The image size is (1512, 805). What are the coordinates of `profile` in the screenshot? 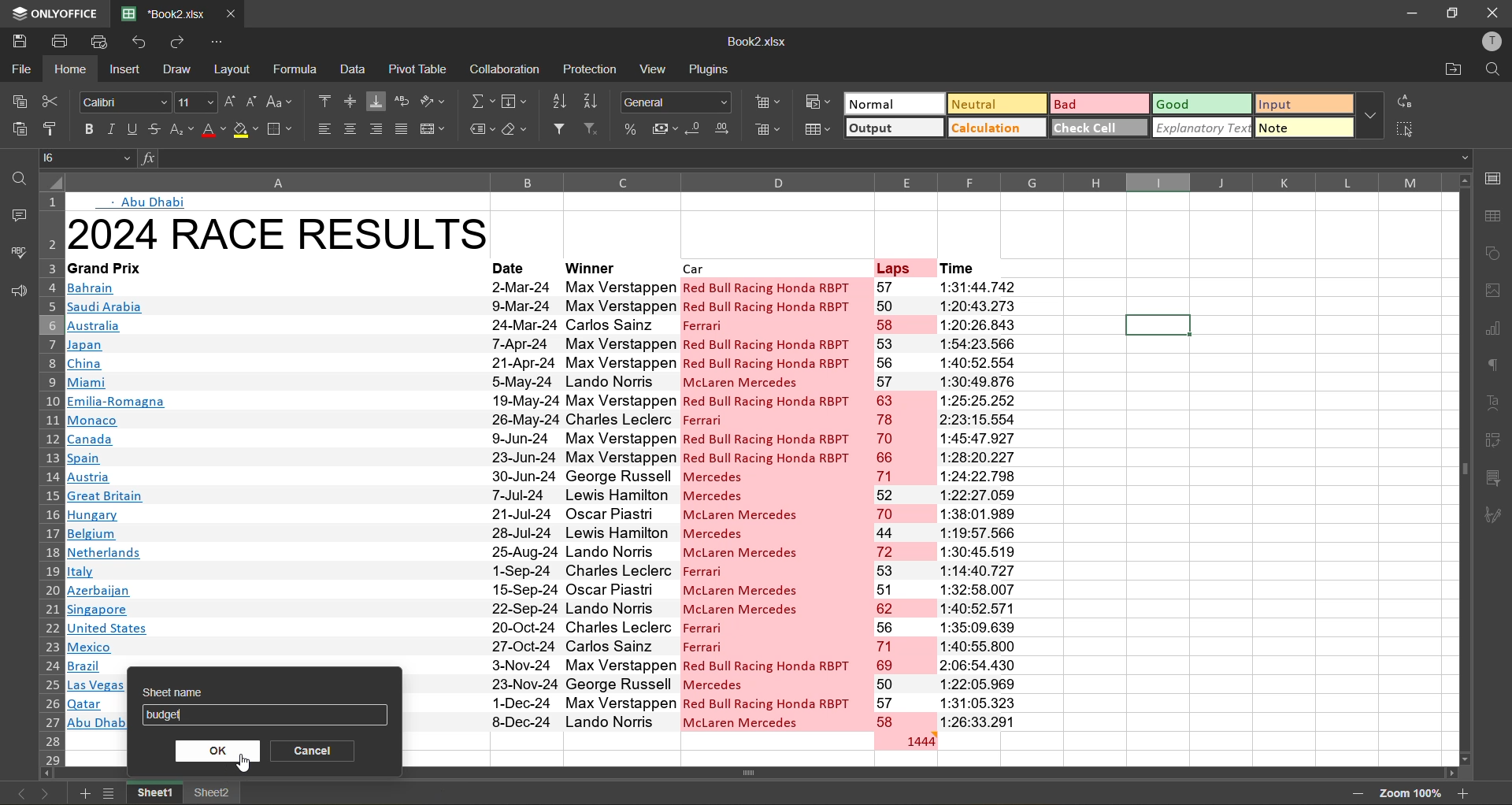 It's located at (1489, 44).